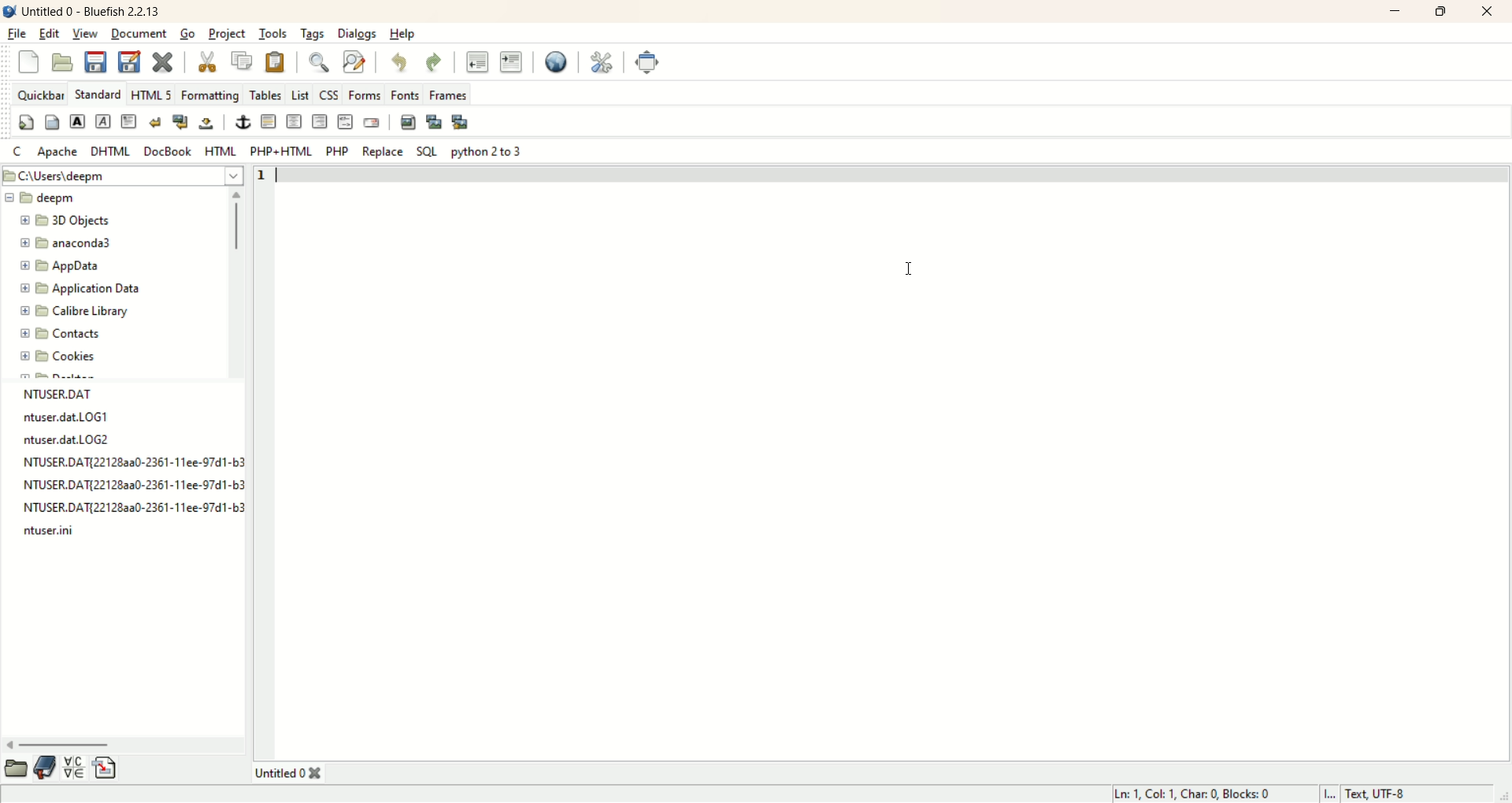  I want to click on break, so click(154, 122).